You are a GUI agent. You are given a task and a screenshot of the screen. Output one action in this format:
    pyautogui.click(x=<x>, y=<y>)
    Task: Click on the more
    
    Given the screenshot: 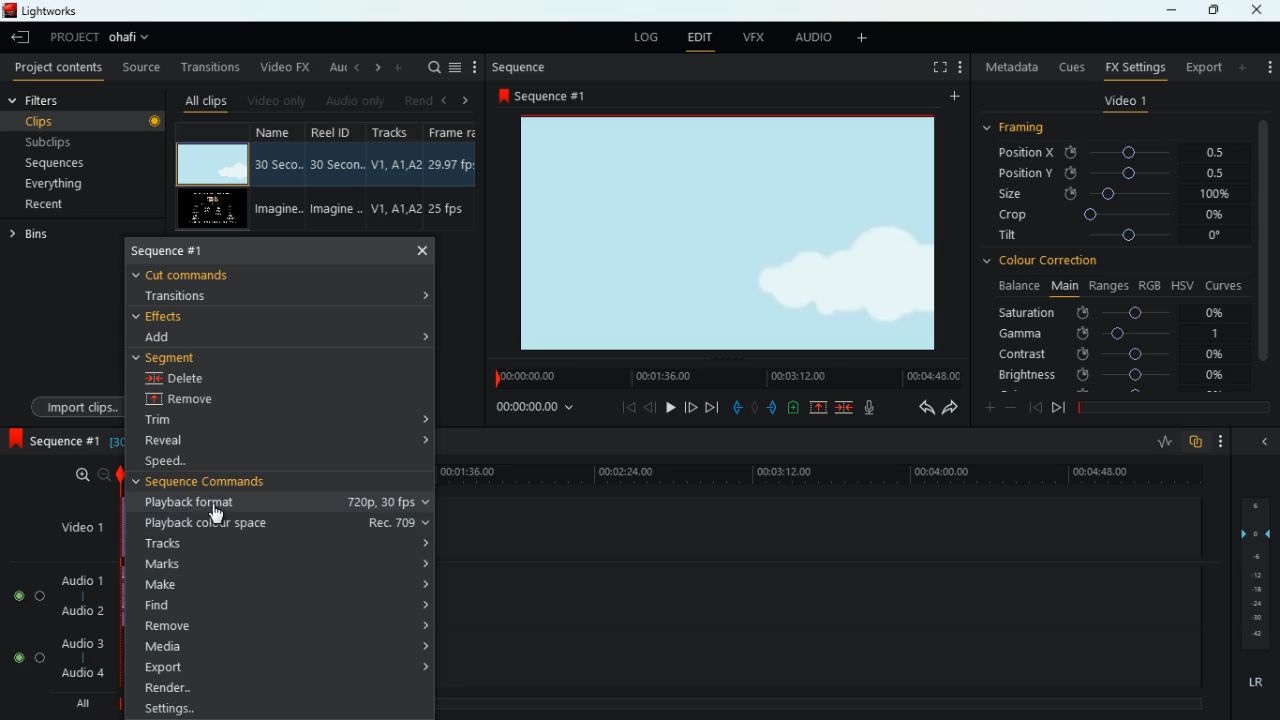 What is the action you would take?
    pyautogui.click(x=1268, y=68)
    